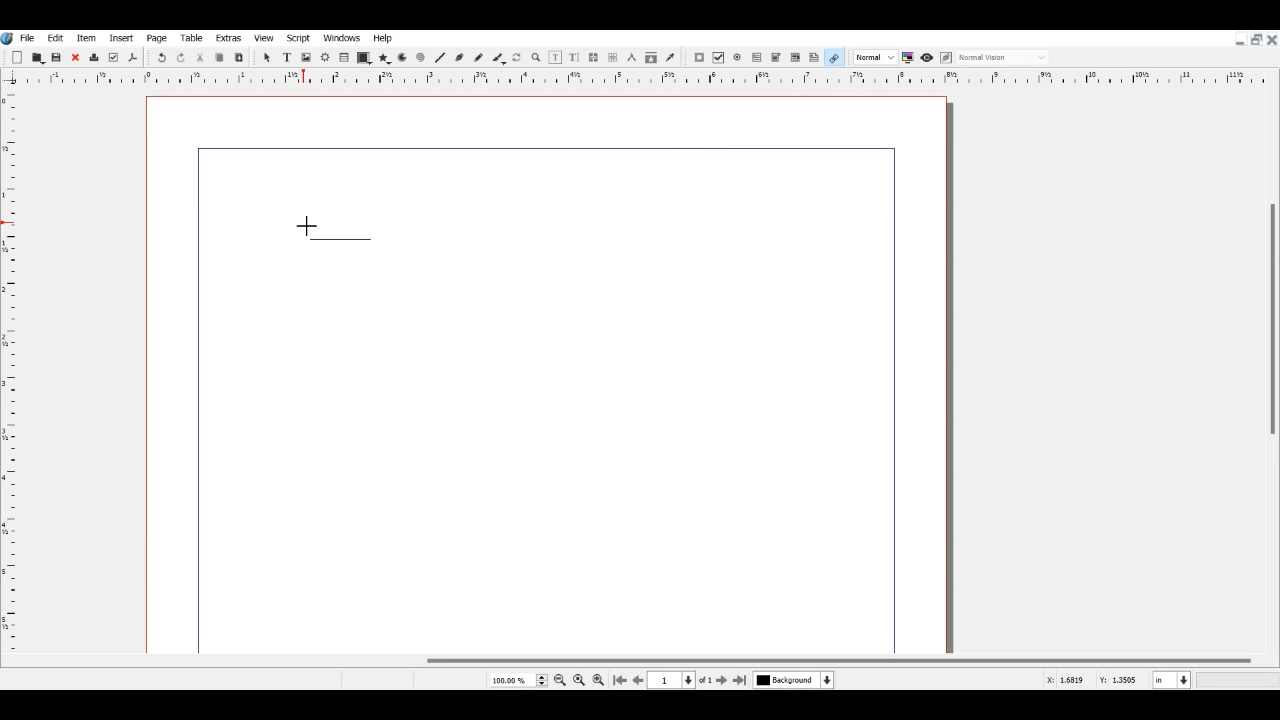  Describe the element at coordinates (574, 57) in the screenshot. I see `Edit Text` at that location.